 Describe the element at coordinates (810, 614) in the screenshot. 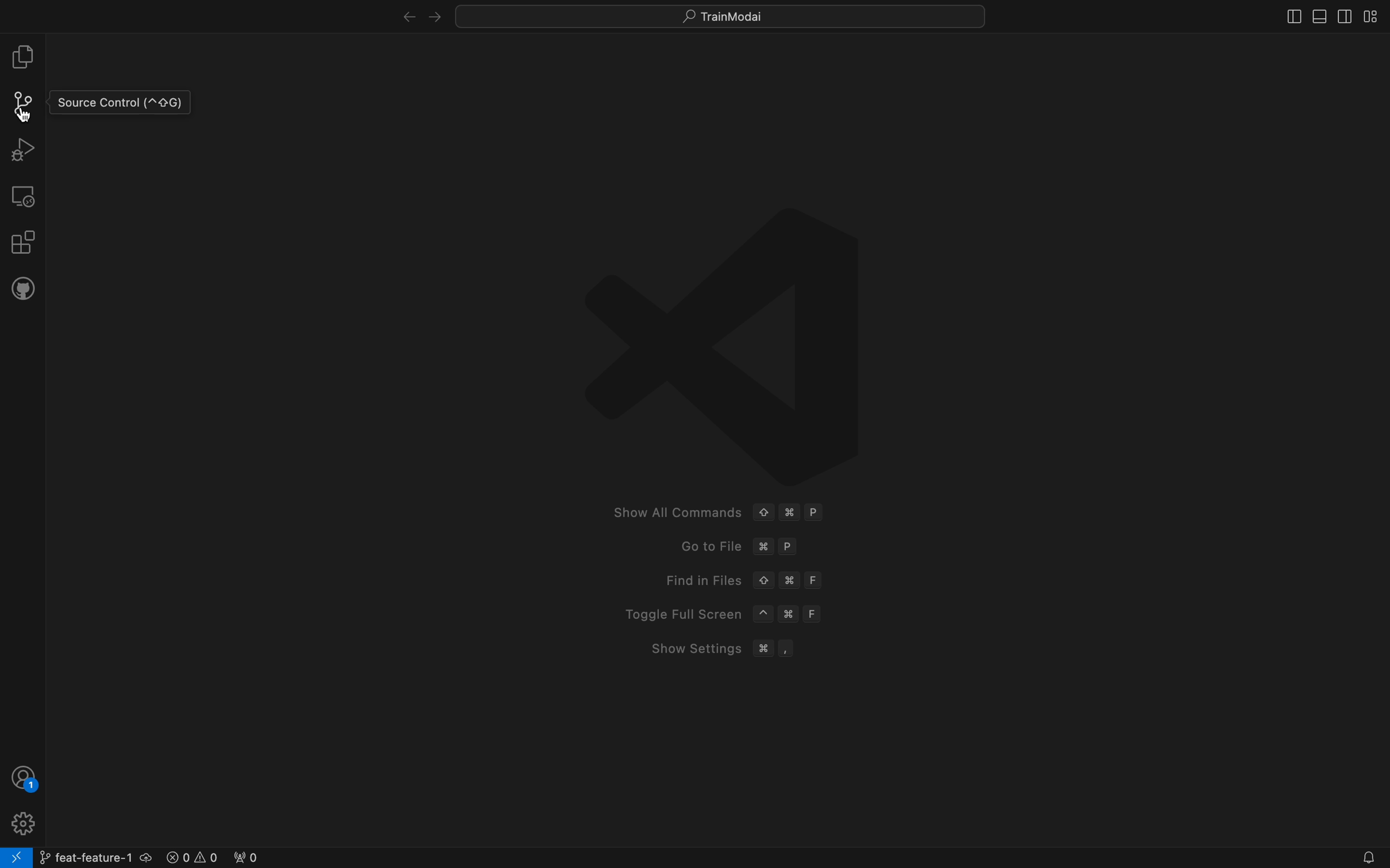

I see `F` at that location.